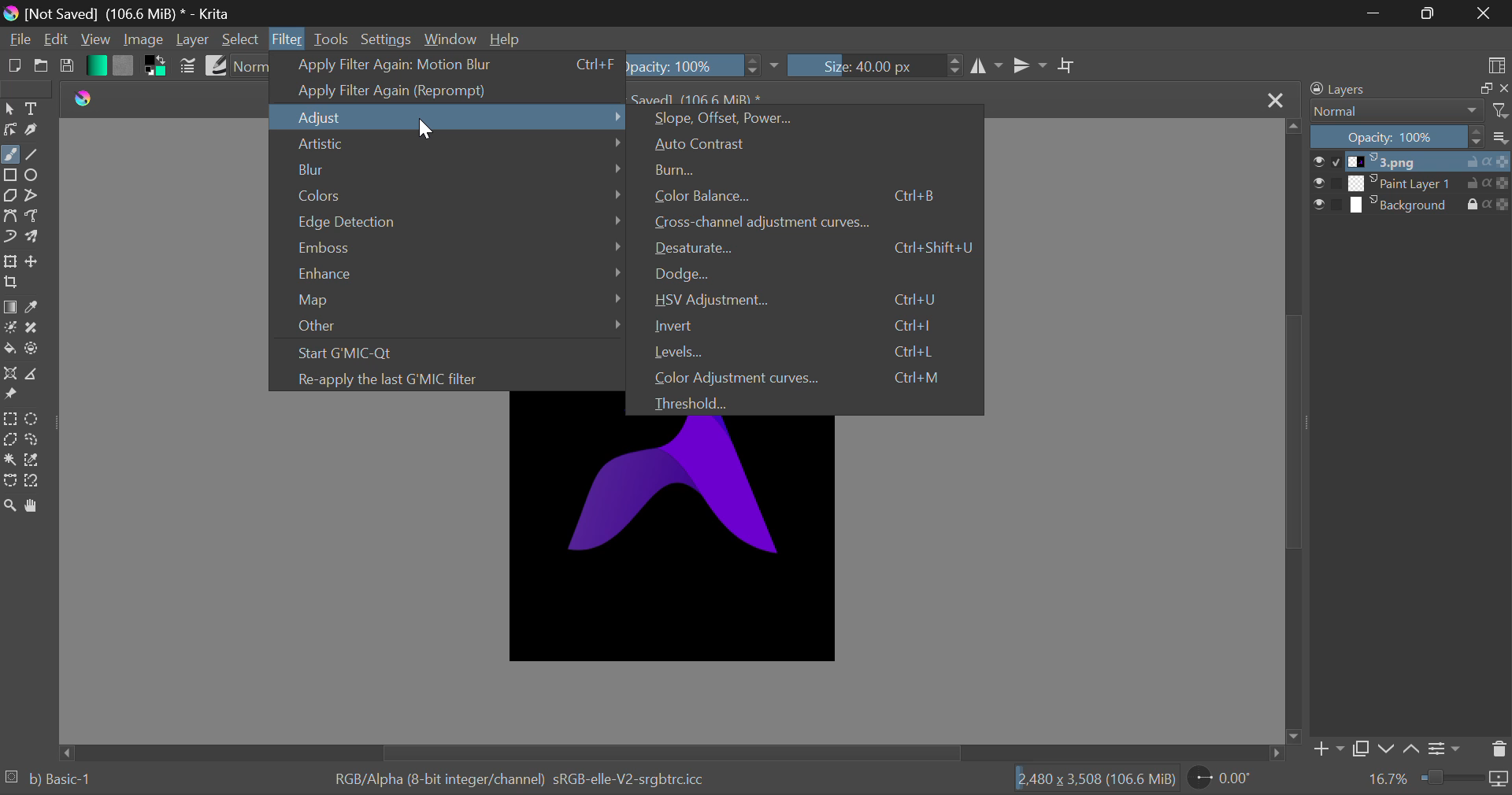  I want to click on move right, so click(1277, 756).